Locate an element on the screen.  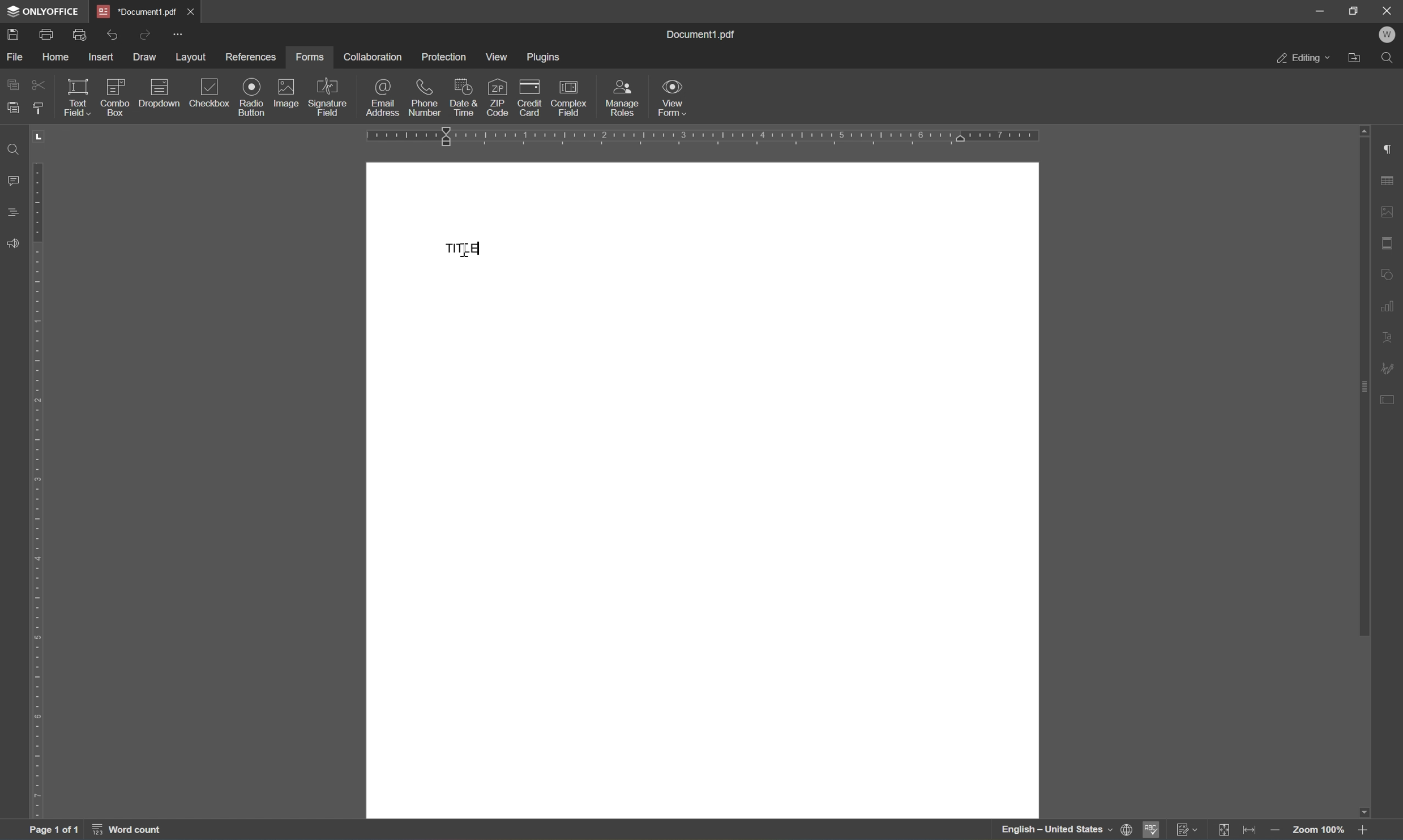
paragraph settings is located at coordinates (1392, 148).